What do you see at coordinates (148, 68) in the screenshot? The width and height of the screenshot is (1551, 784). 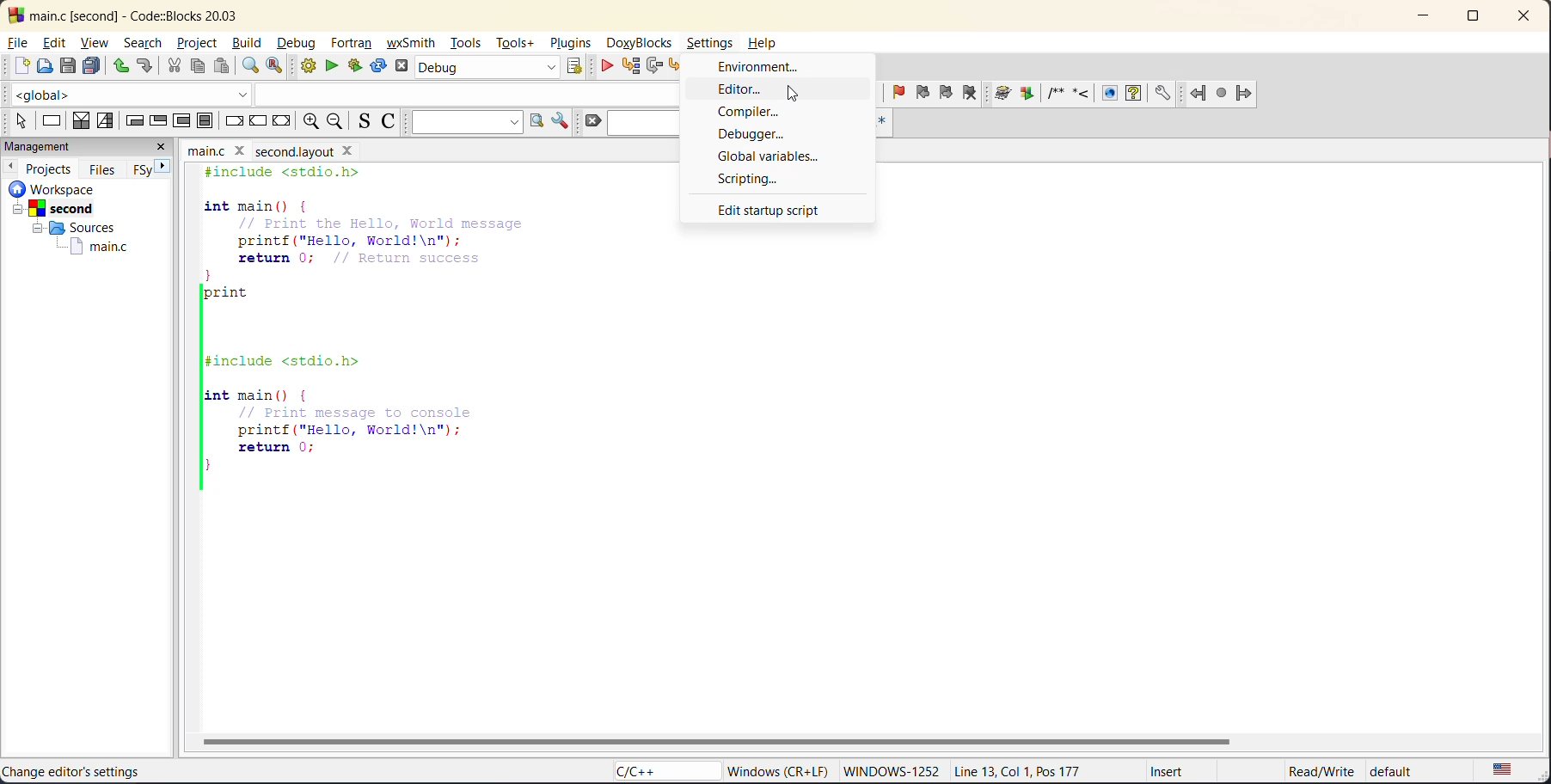 I see `redo` at bounding box center [148, 68].